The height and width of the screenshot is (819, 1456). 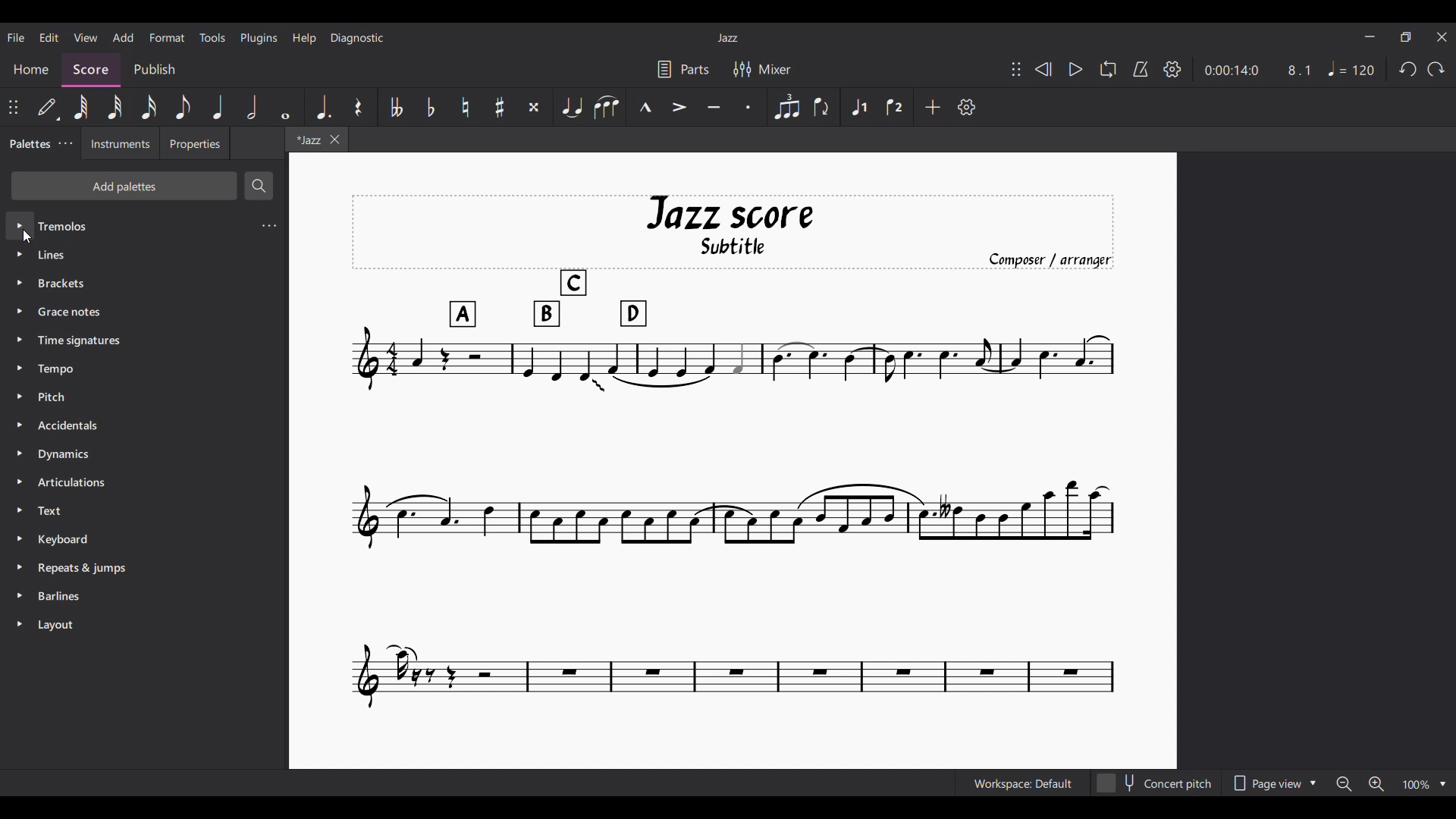 What do you see at coordinates (359, 106) in the screenshot?
I see `Rest` at bounding box center [359, 106].